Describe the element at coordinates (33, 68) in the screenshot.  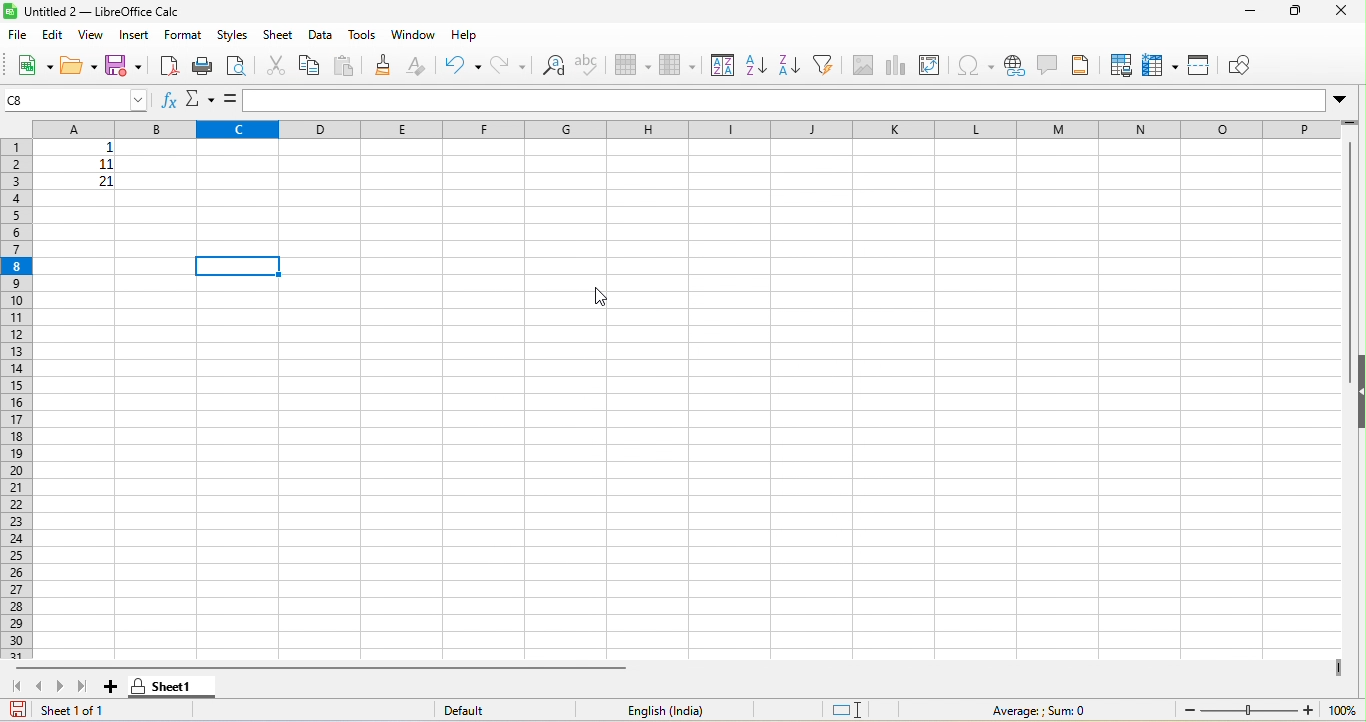
I see `new` at that location.